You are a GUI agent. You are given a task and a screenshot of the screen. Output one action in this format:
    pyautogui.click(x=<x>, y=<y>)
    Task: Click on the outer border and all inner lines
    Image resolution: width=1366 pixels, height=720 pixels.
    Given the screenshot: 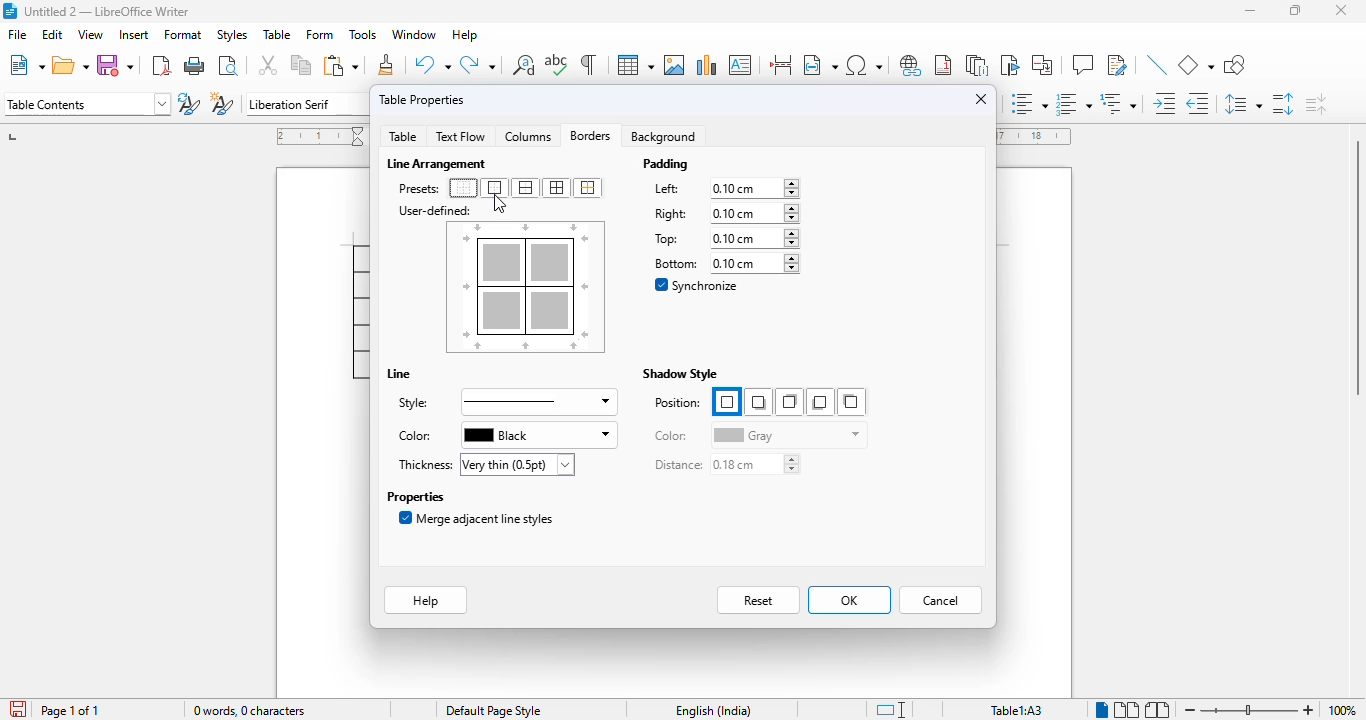 What is the action you would take?
    pyautogui.click(x=557, y=188)
    